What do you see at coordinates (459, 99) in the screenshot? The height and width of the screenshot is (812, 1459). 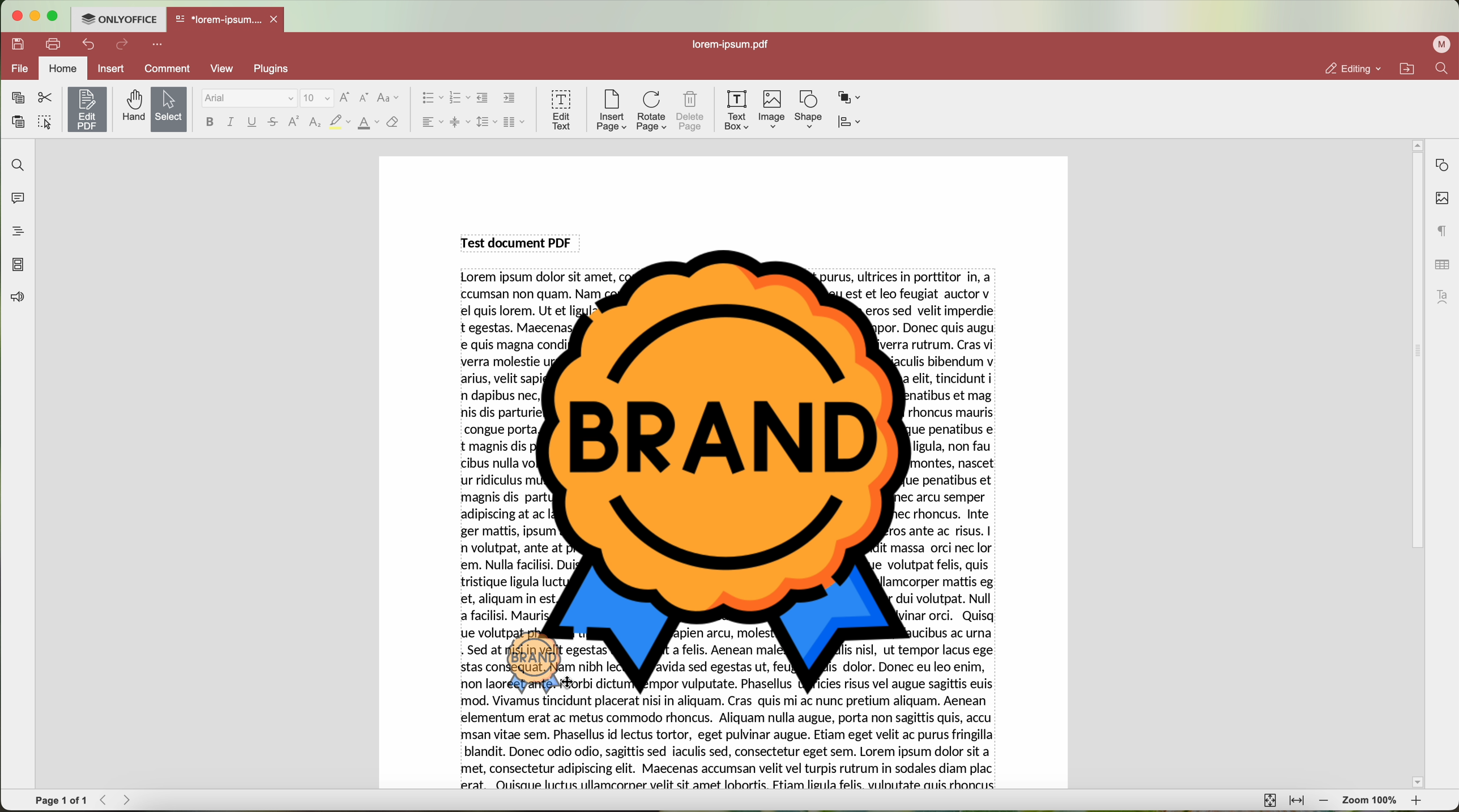 I see `numbering` at bounding box center [459, 99].